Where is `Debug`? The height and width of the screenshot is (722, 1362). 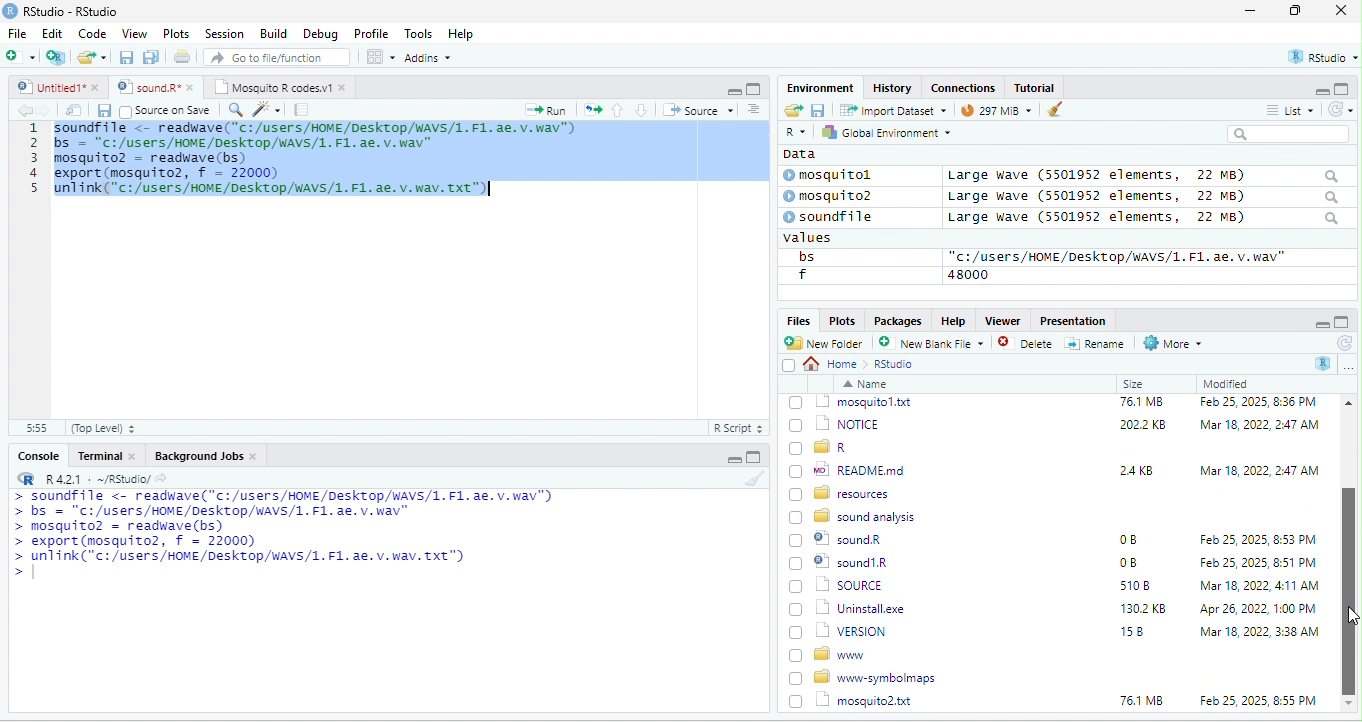 Debug is located at coordinates (320, 33).